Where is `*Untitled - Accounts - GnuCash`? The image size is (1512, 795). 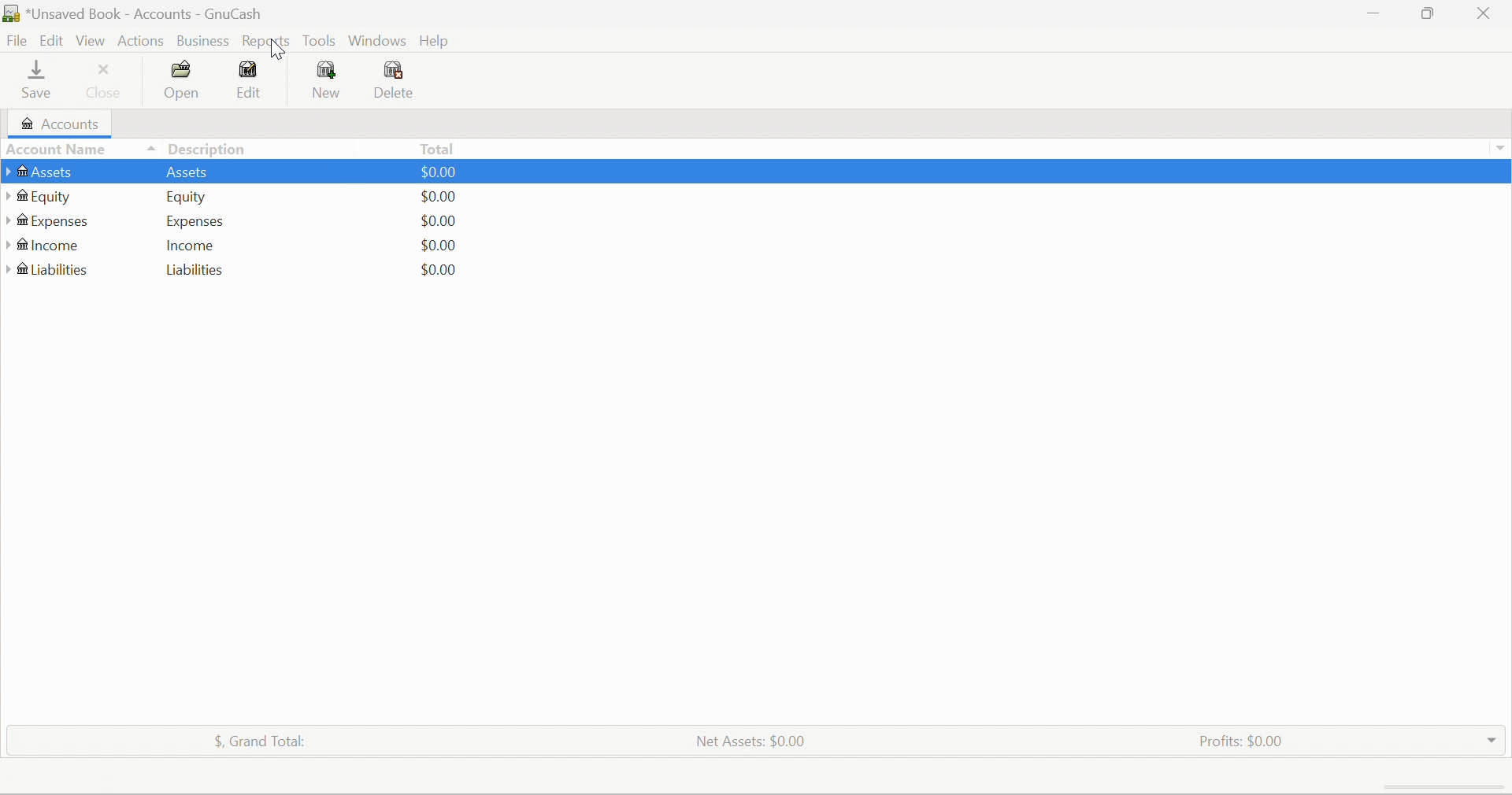
*Untitled - Accounts - GnuCash is located at coordinates (135, 13).